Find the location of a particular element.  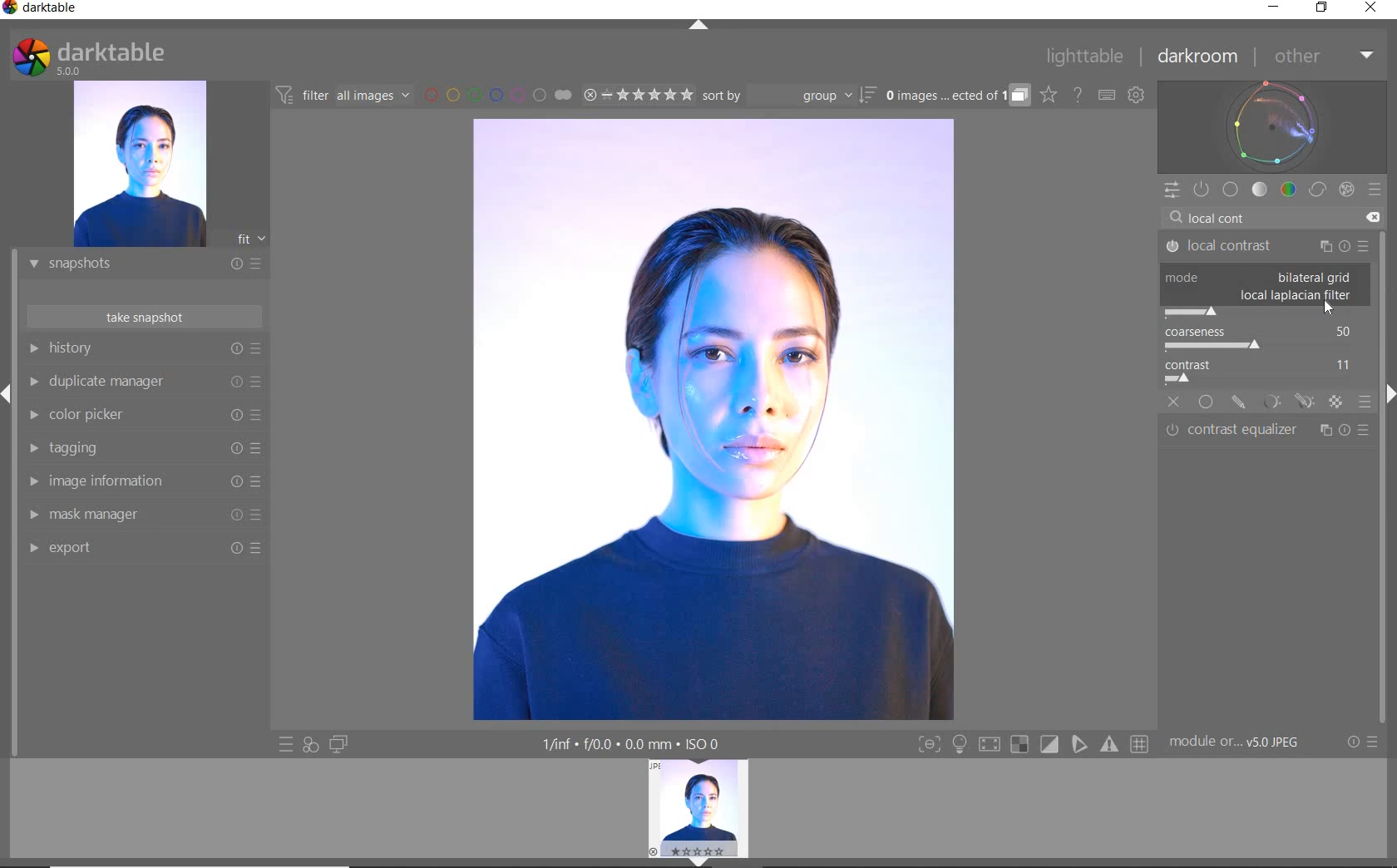

CLICK TO CHANGE THE OVERLAYS SHOWN ON THUMBNAILS is located at coordinates (1049, 95).